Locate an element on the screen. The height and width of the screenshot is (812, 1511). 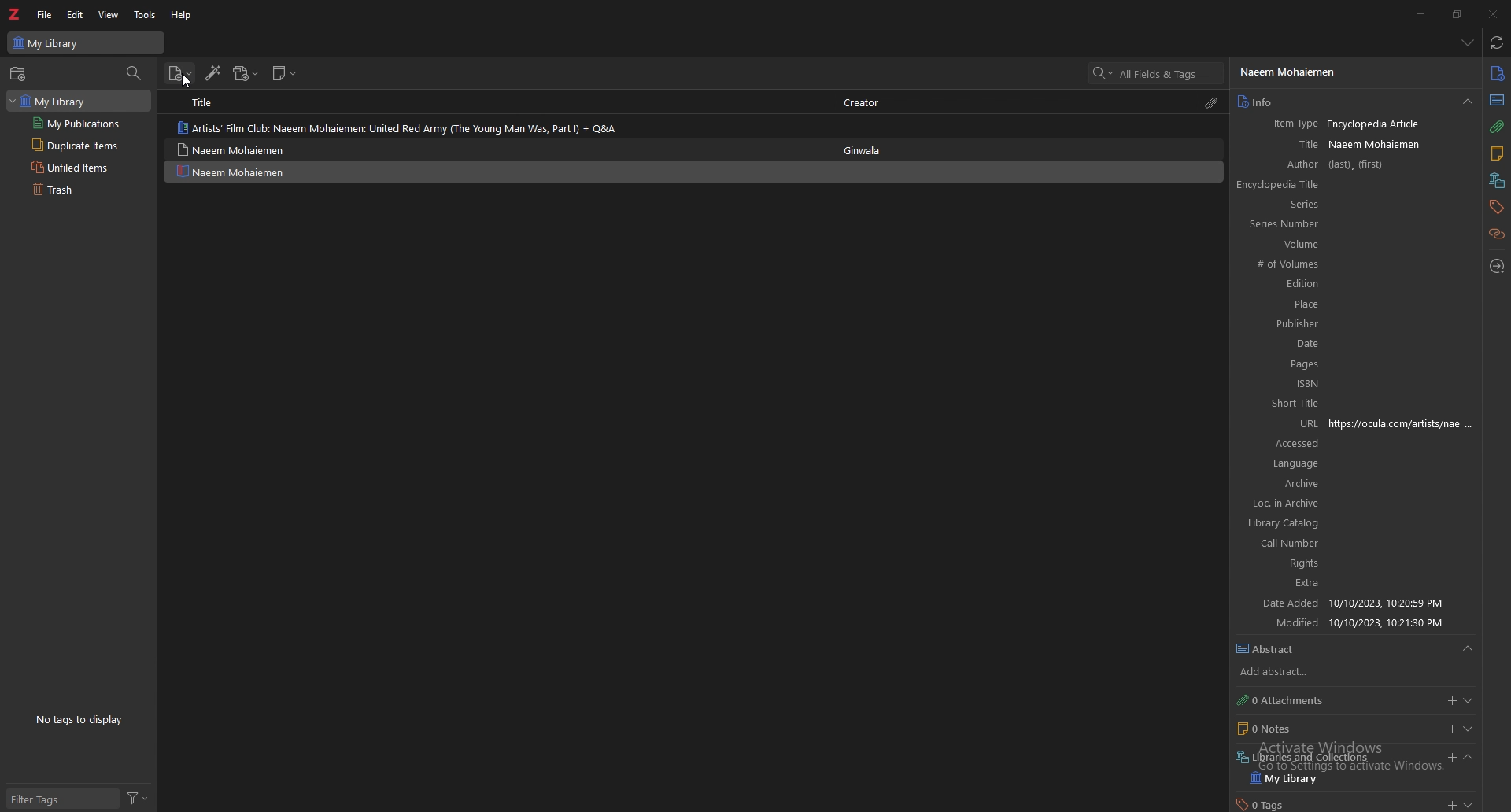
place is located at coordinates (1279, 304).